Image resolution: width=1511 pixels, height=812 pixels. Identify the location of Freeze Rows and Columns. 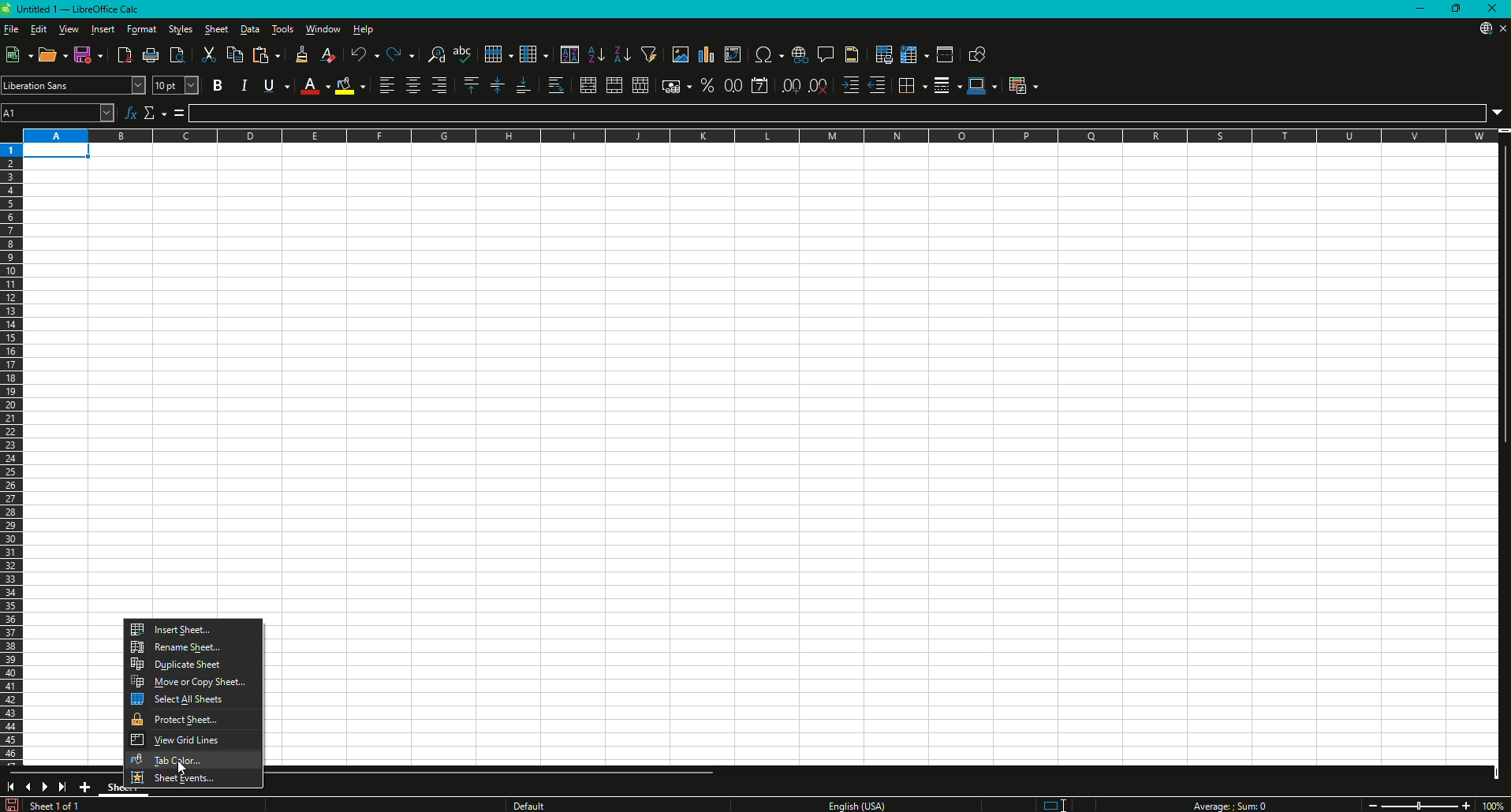
(914, 54).